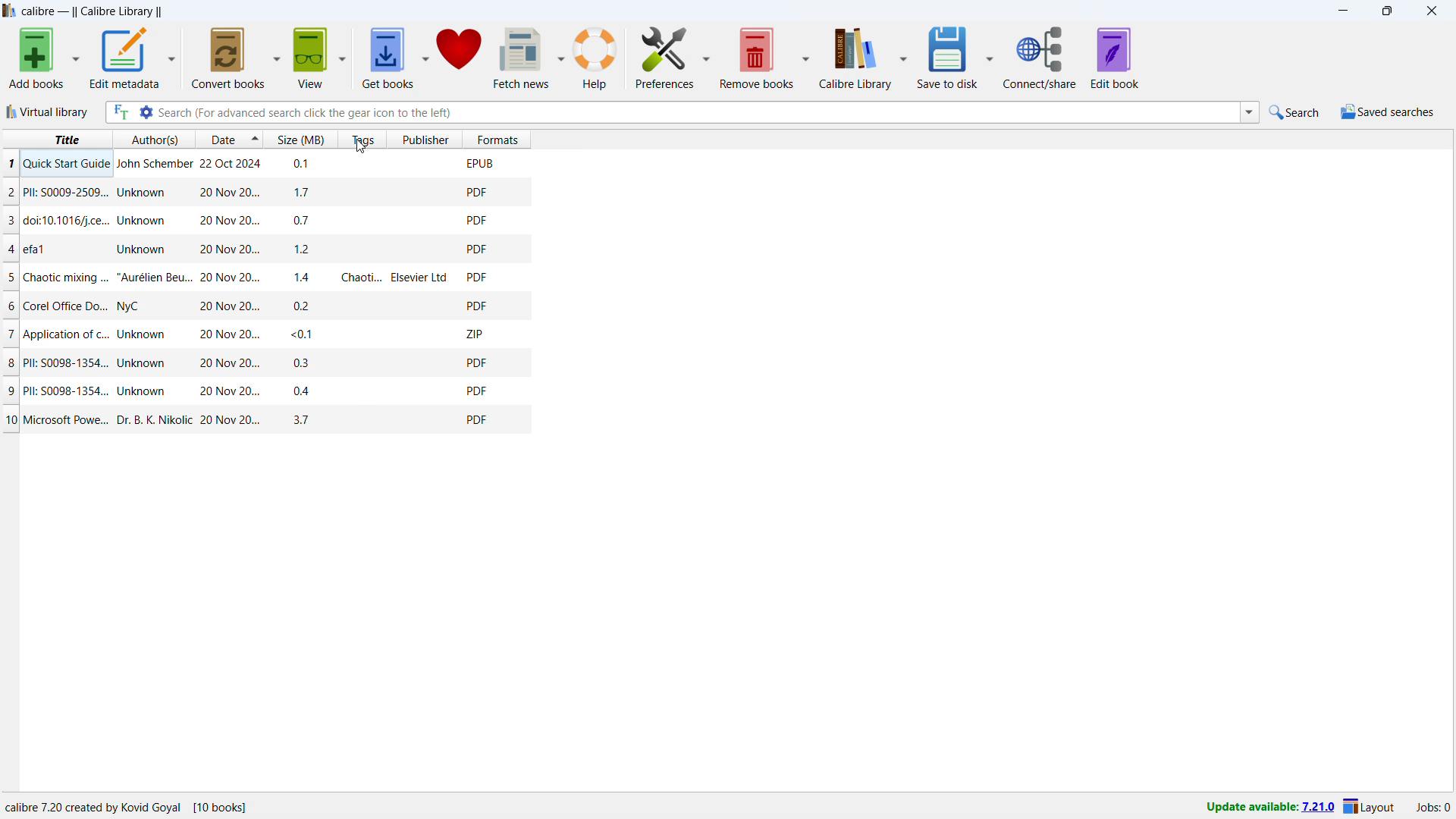 The height and width of the screenshot is (819, 1456). I want to click on sort by publisher, so click(425, 139).